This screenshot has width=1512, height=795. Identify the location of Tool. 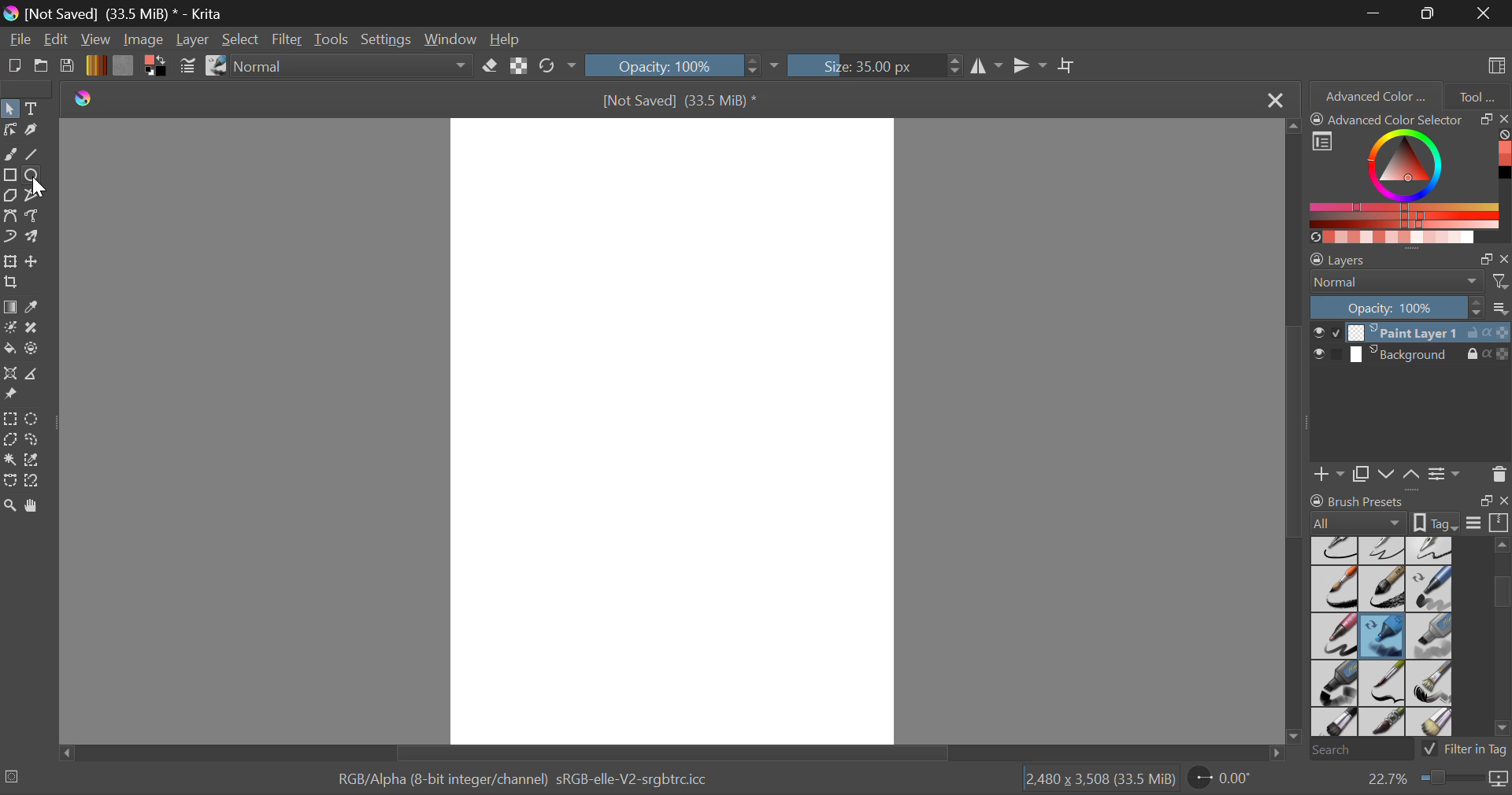
(1477, 94).